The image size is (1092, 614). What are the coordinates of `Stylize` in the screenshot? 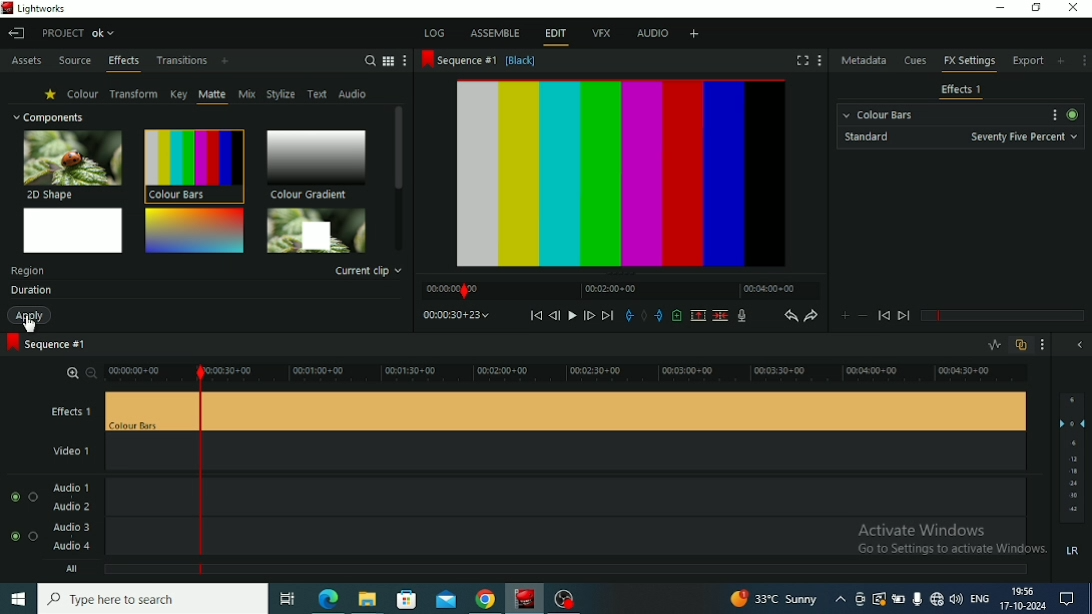 It's located at (281, 93).